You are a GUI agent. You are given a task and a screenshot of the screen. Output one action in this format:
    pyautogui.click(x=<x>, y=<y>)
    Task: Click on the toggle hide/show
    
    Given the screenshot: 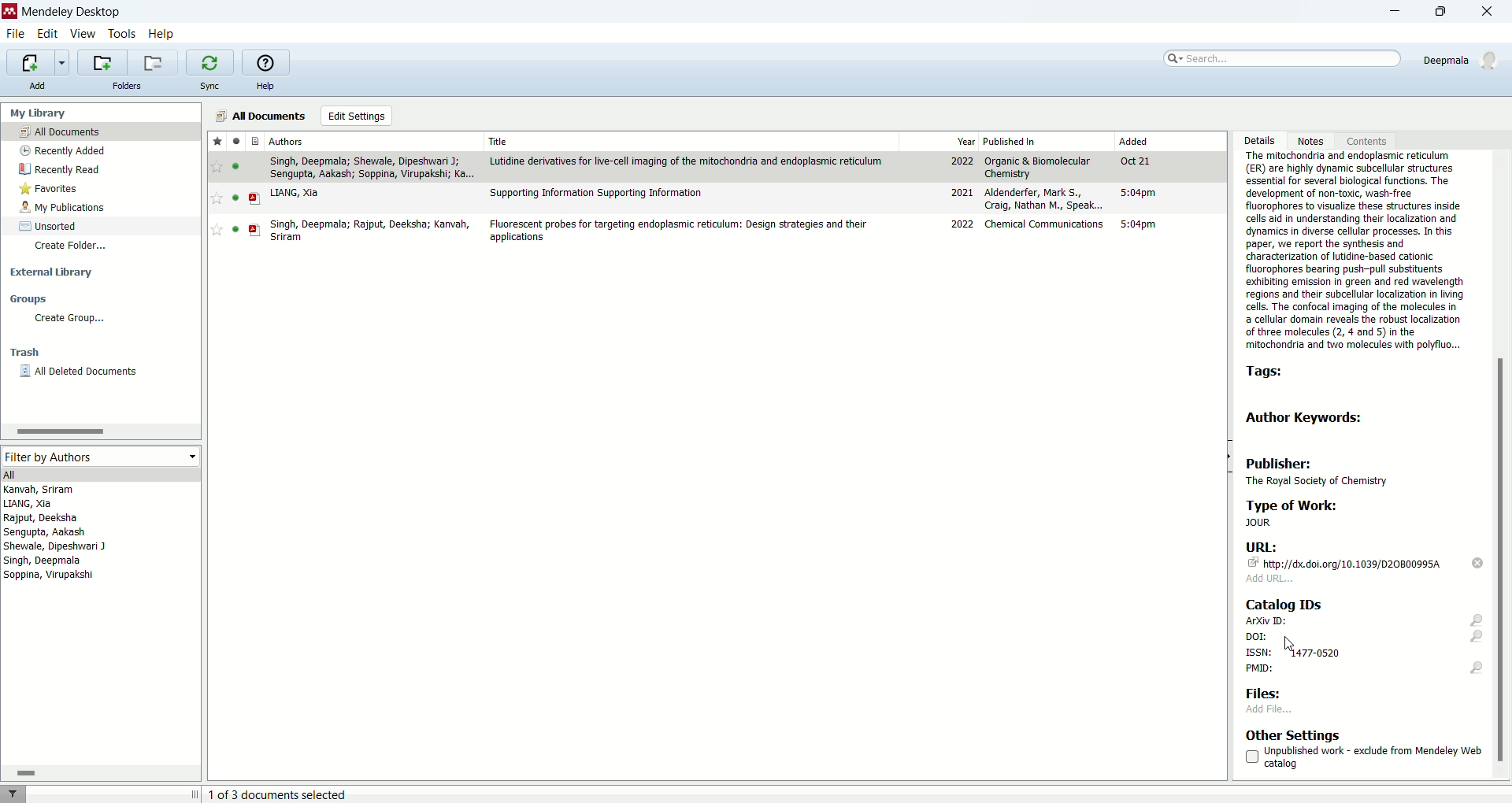 What is the action you would take?
    pyautogui.click(x=1228, y=457)
    